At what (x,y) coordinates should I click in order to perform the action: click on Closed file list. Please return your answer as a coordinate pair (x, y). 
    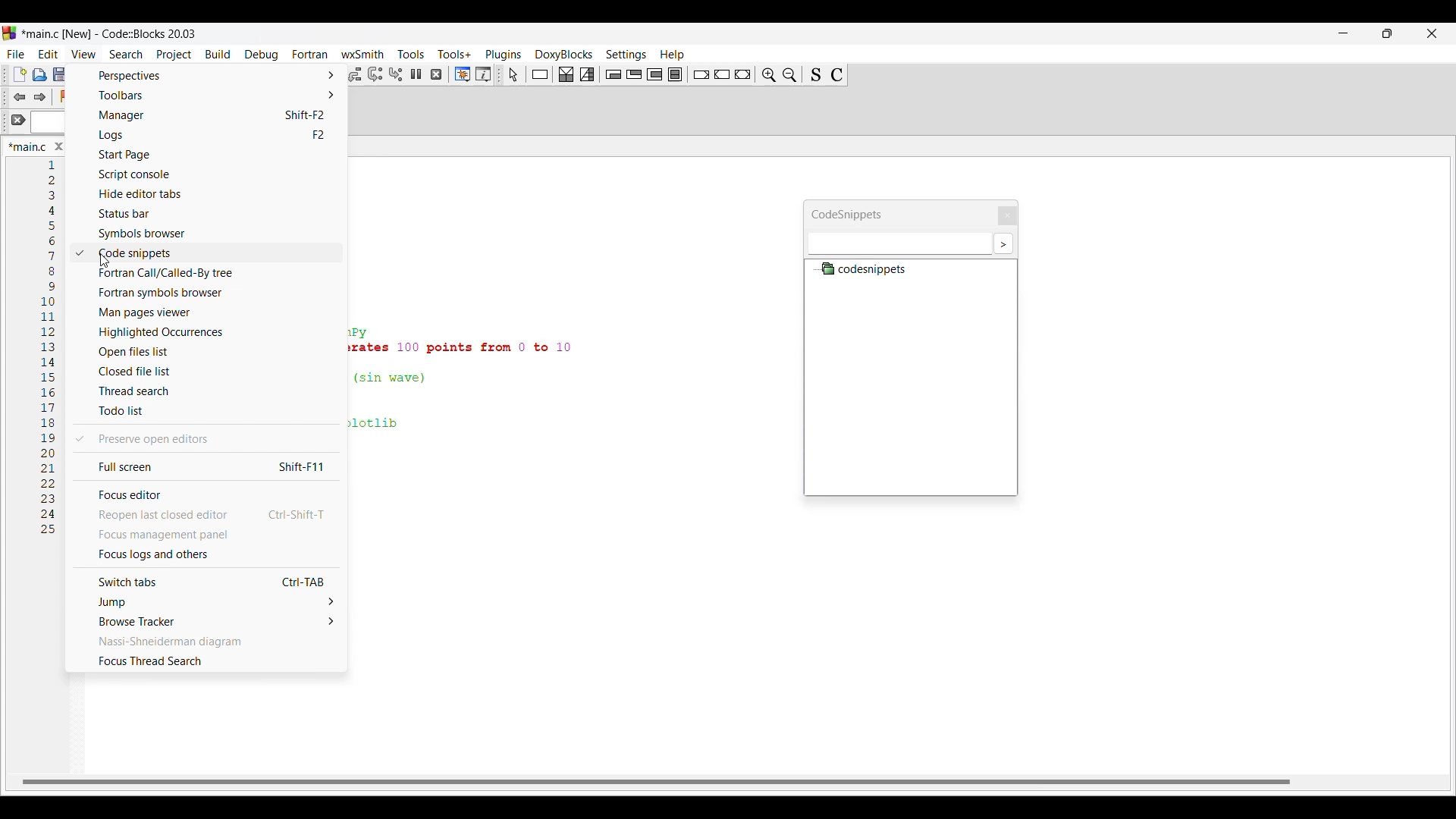
    Looking at the image, I should click on (216, 372).